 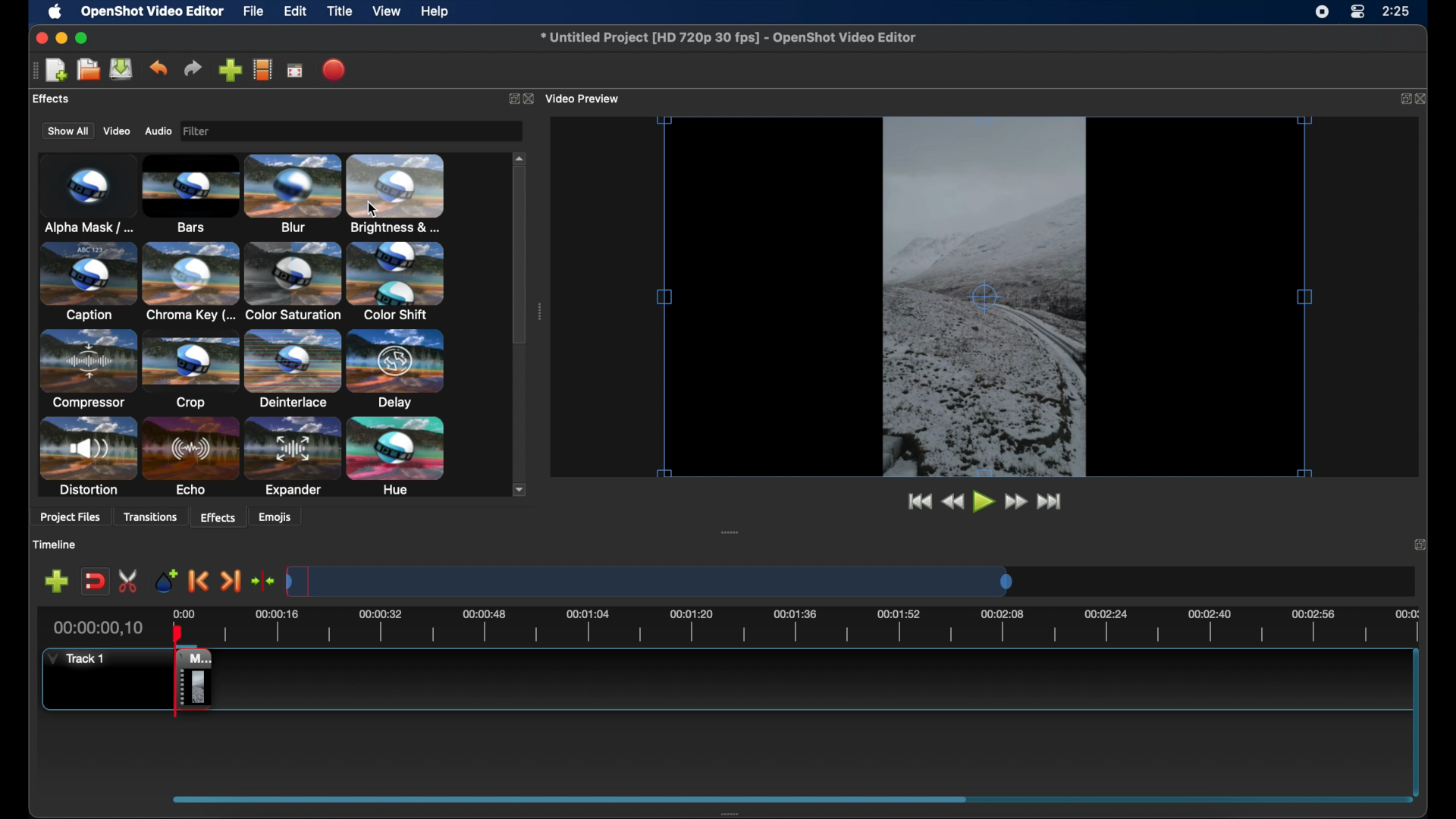 What do you see at coordinates (820, 626) in the screenshot?
I see `timeline scale` at bounding box center [820, 626].